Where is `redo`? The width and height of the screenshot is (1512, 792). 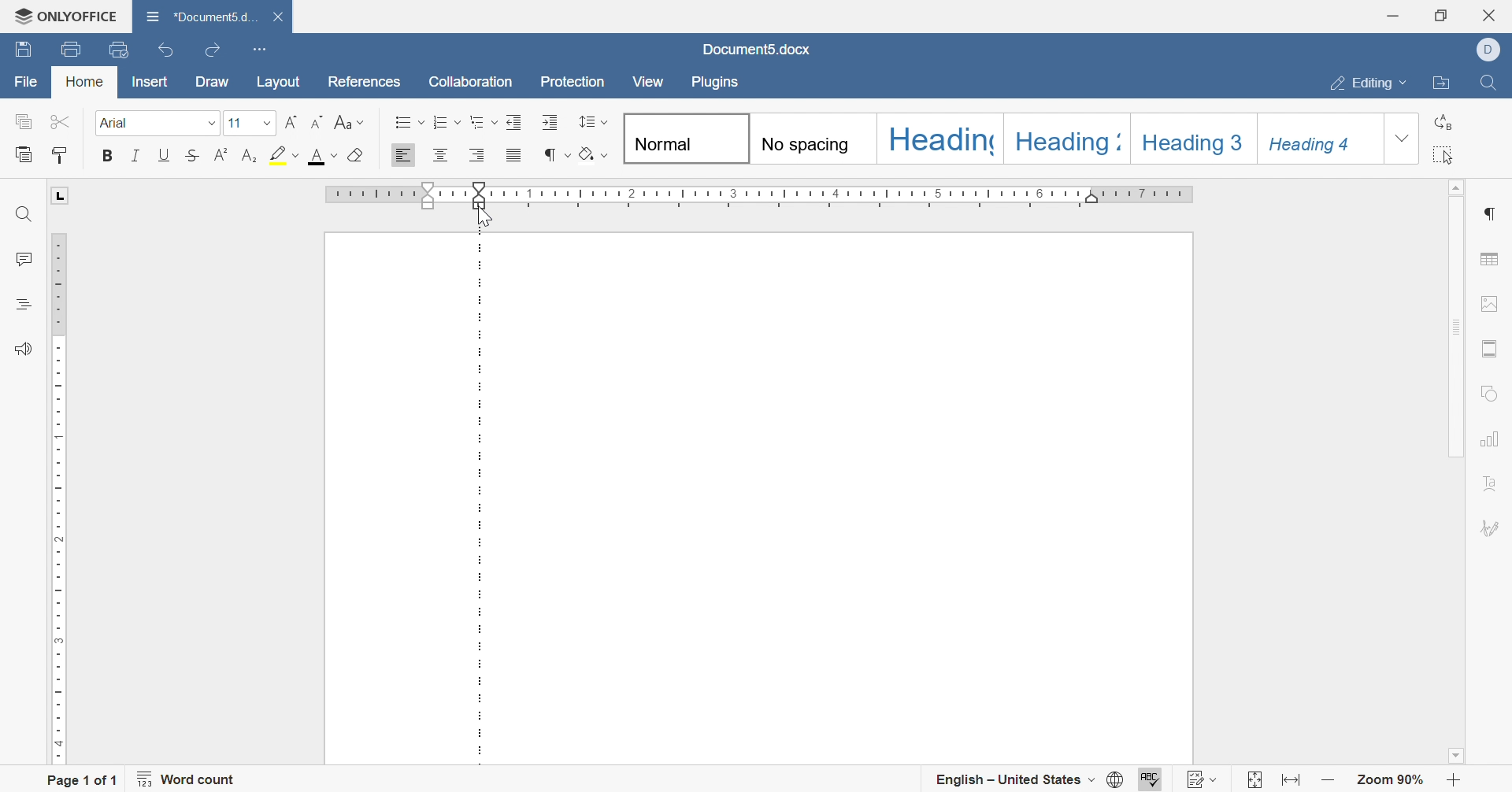
redo is located at coordinates (210, 53).